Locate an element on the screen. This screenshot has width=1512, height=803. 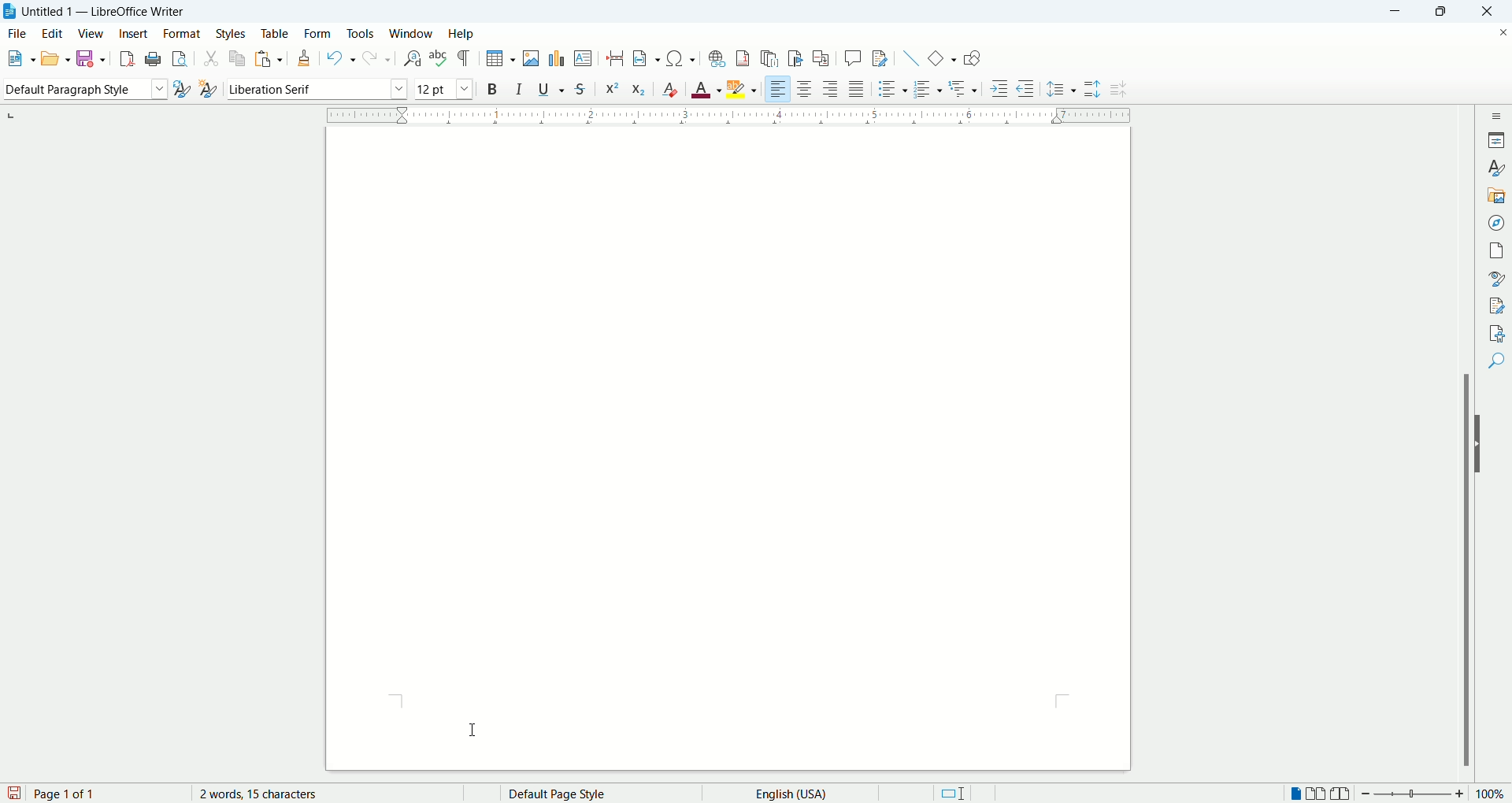
navigator is located at coordinates (1499, 221).